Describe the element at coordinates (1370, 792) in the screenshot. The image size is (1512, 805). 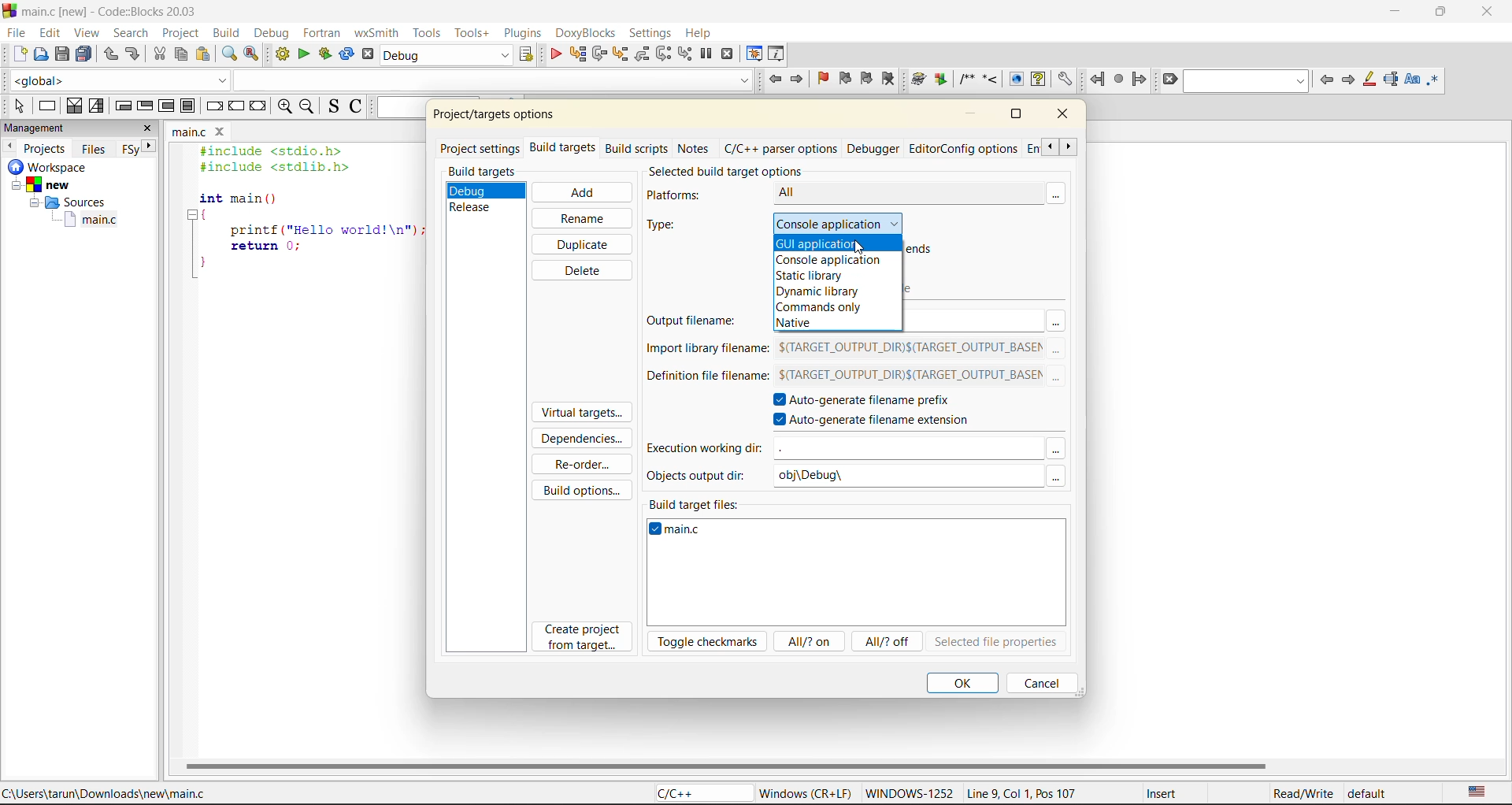
I see `default` at that location.